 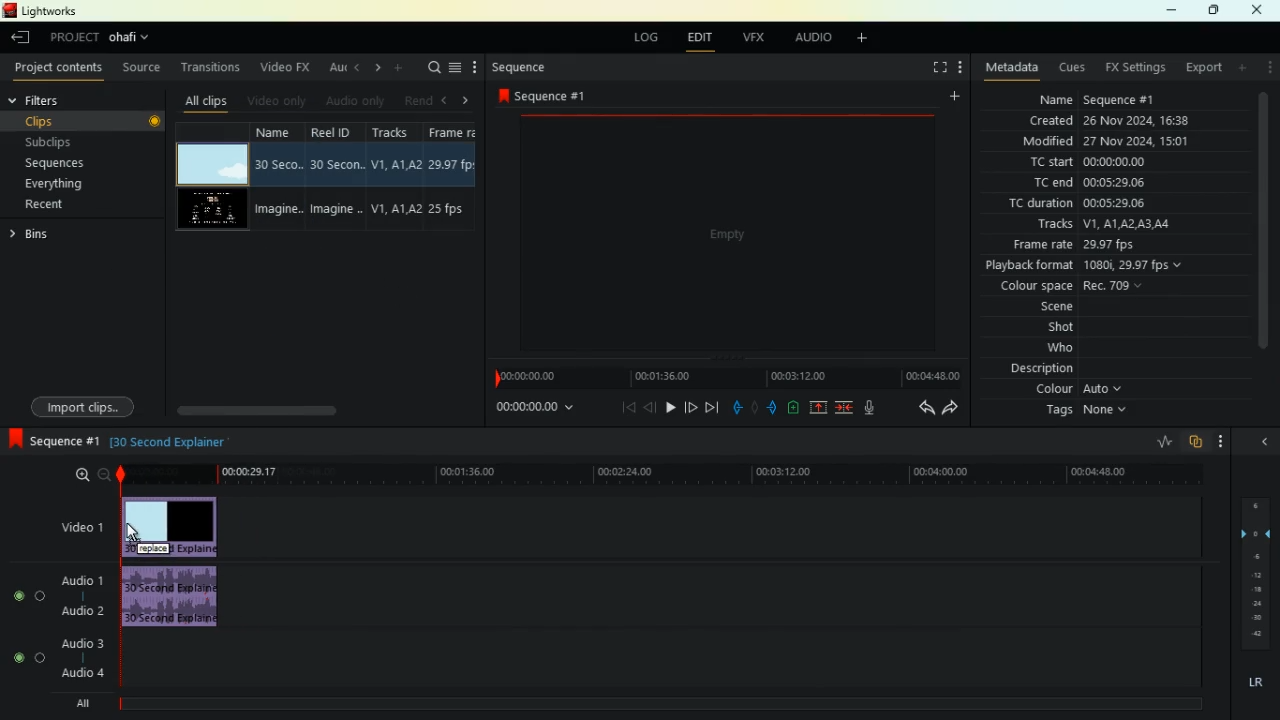 I want to click on mic, so click(x=868, y=408).